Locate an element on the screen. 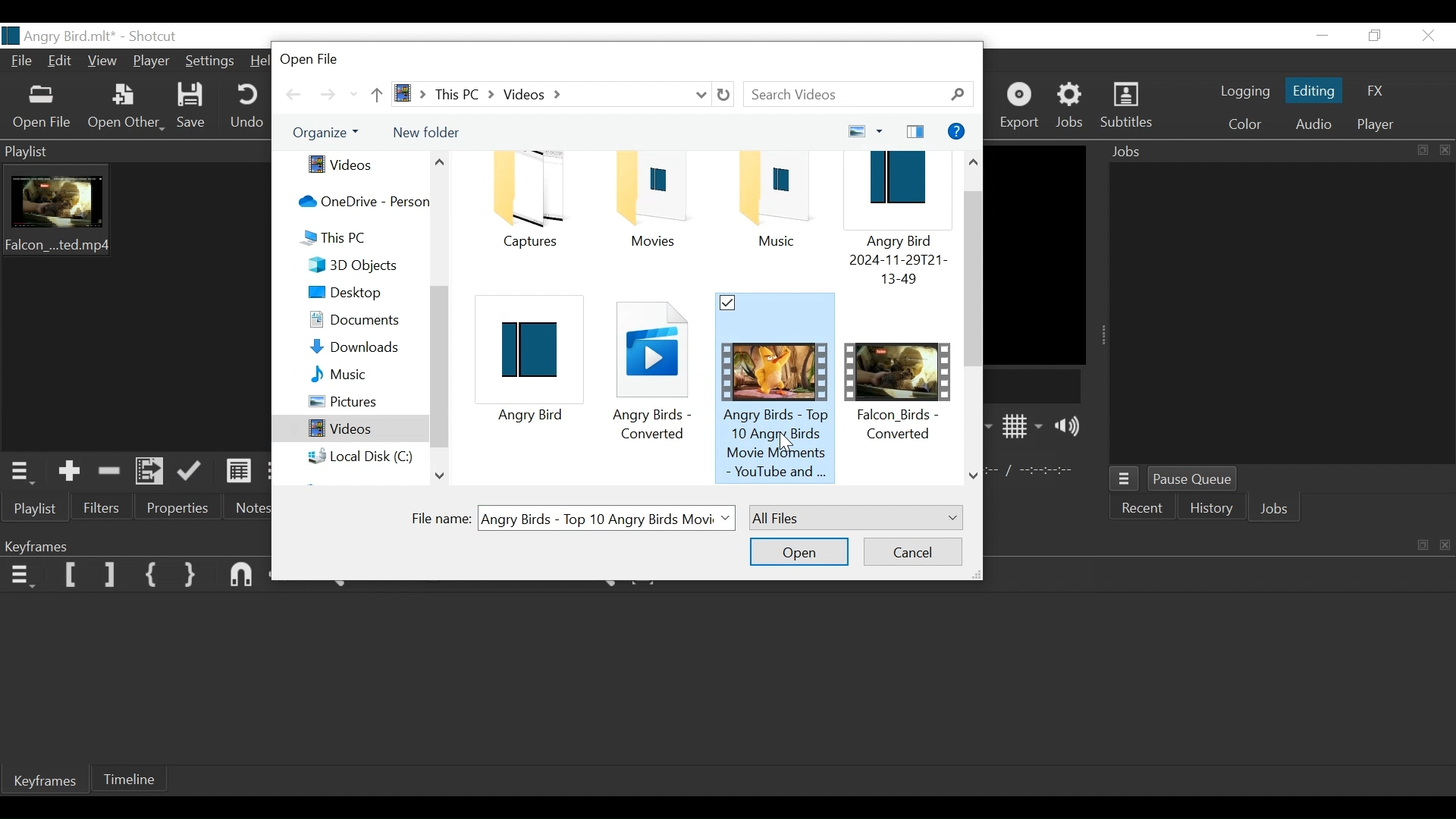 The image size is (1456, 819). Edit is located at coordinates (62, 61).